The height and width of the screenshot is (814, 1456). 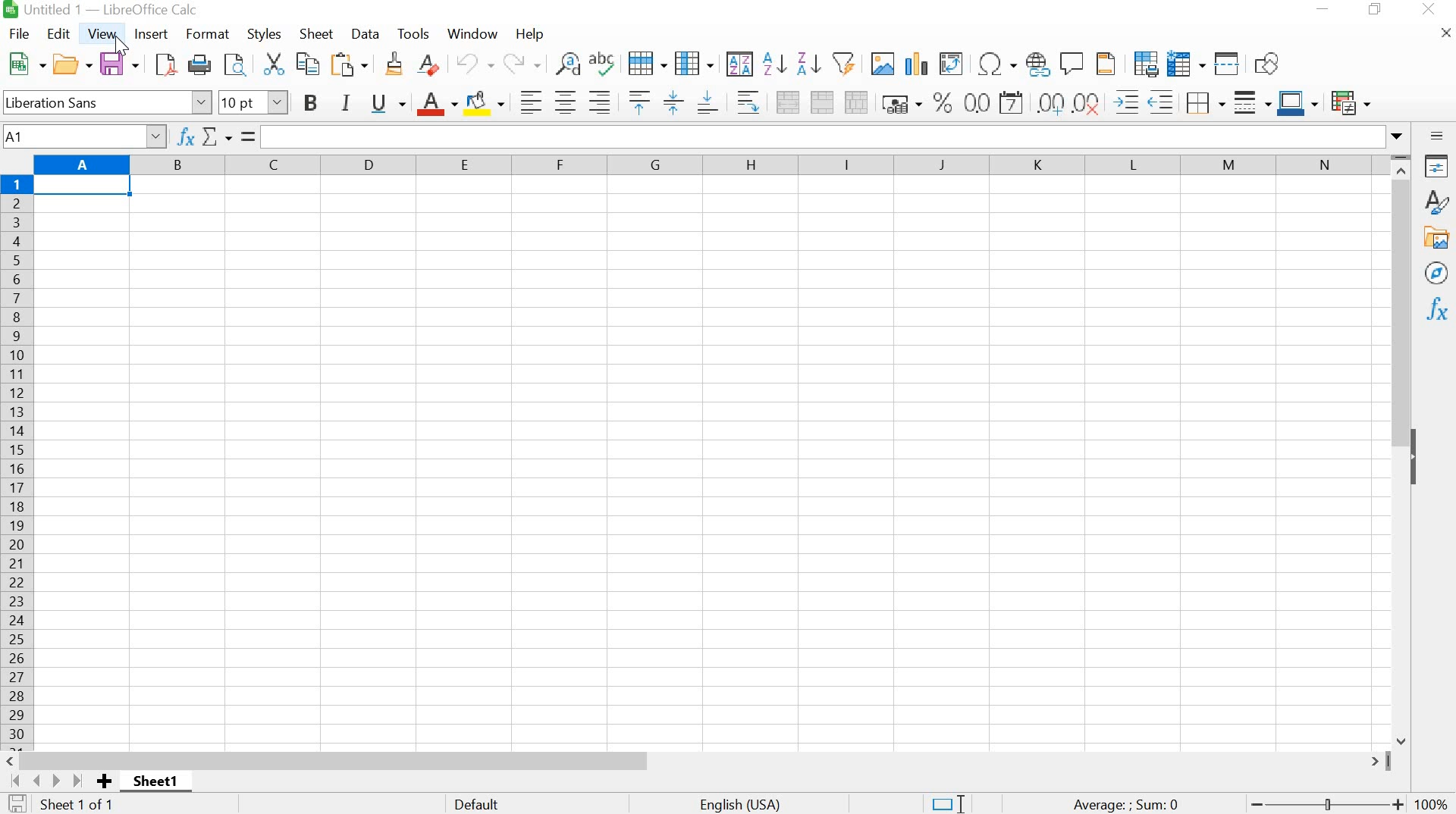 What do you see at coordinates (435, 67) in the screenshot?
I see `CLEAR DIRECT FORMATTING` at bounding box center [435, 67].